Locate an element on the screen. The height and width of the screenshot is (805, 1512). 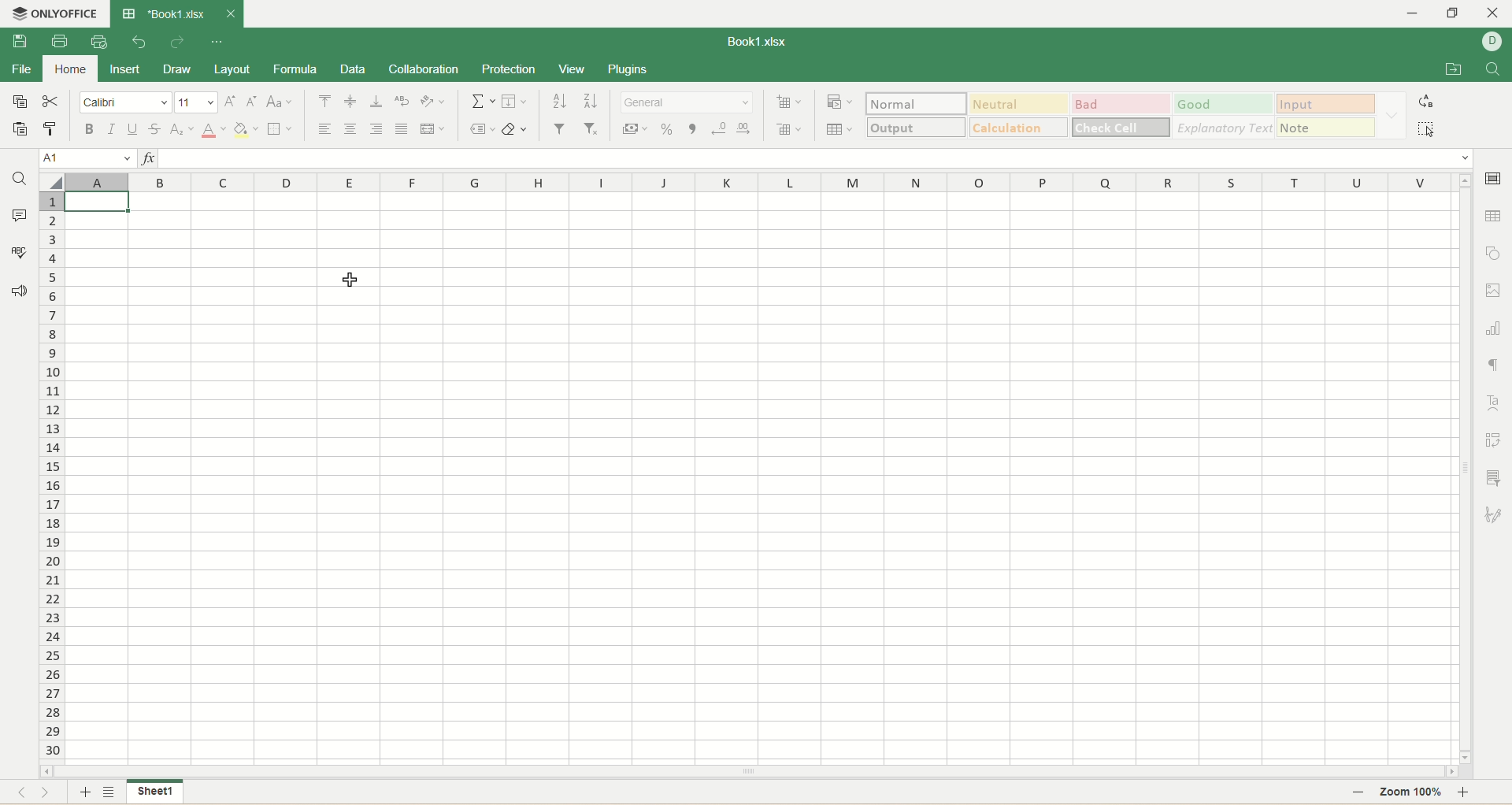
justified is located at coordinates (402, 131).